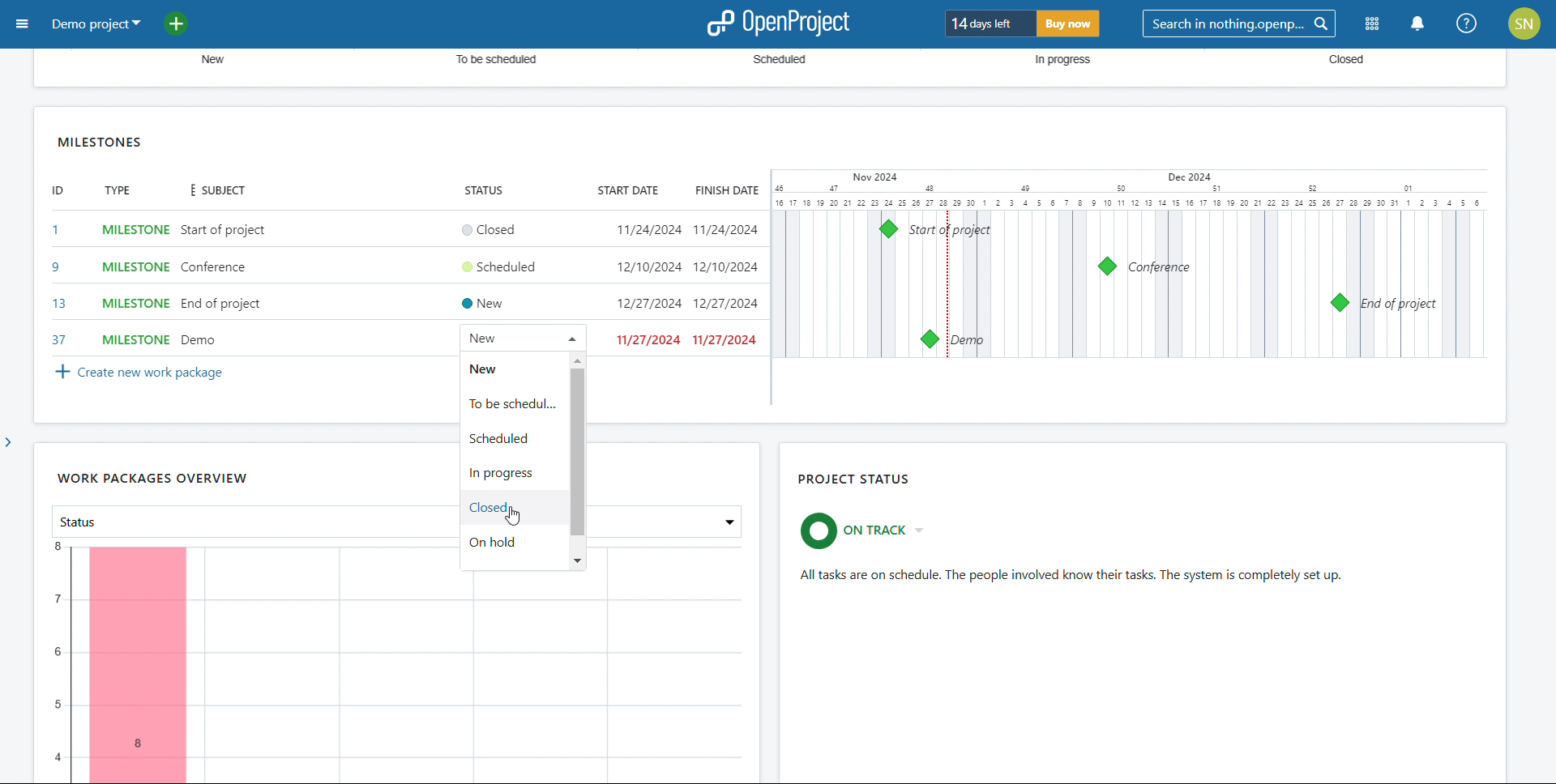  Describe the element at coordinates (501, 282) in the screenshot. I see `set status` at that location.